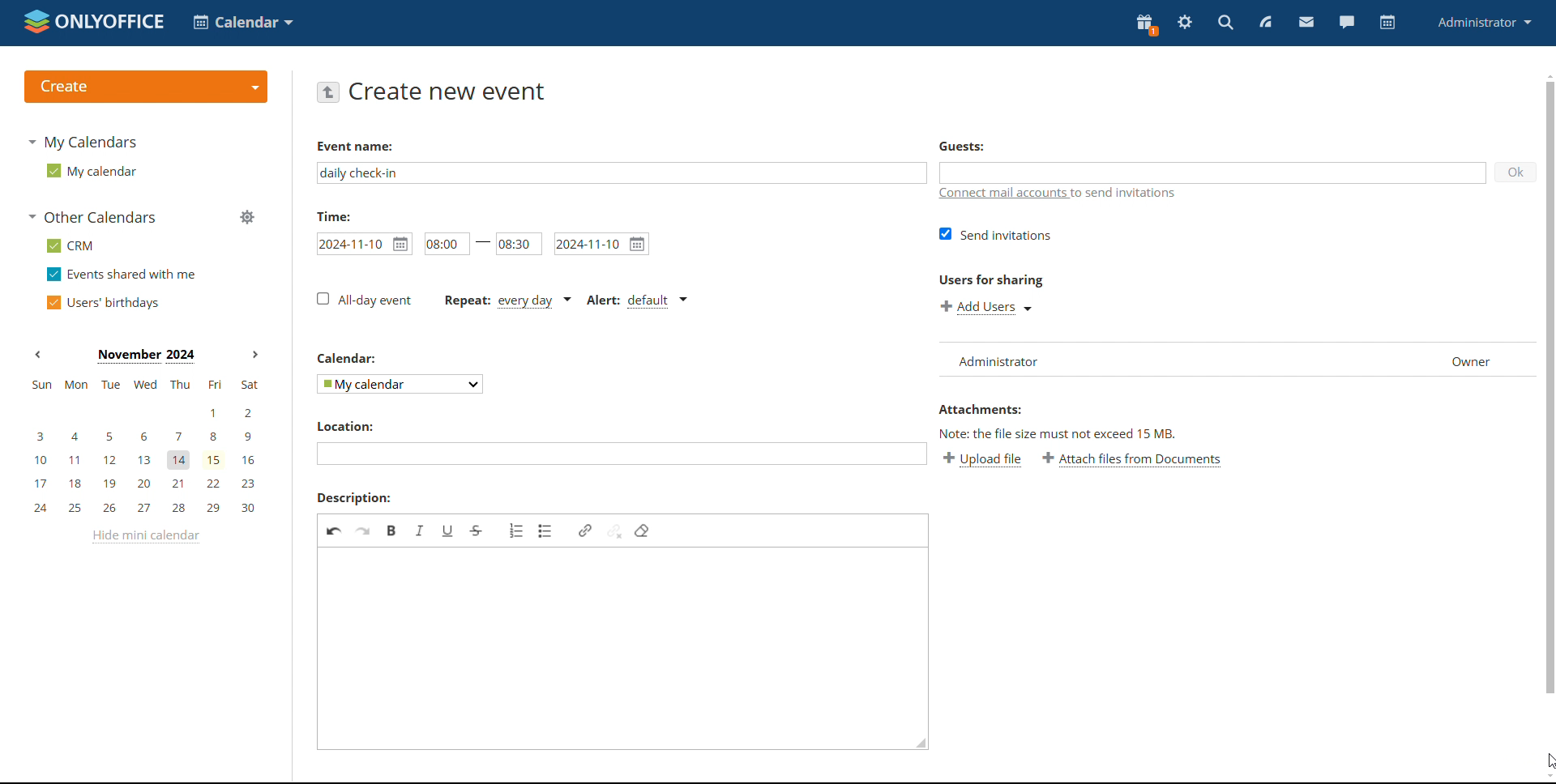 The width and height of the screenshot is (1556, 784). Describe the element at coordinates (984, 460) in the screenshot. I see `upload file` at that location.